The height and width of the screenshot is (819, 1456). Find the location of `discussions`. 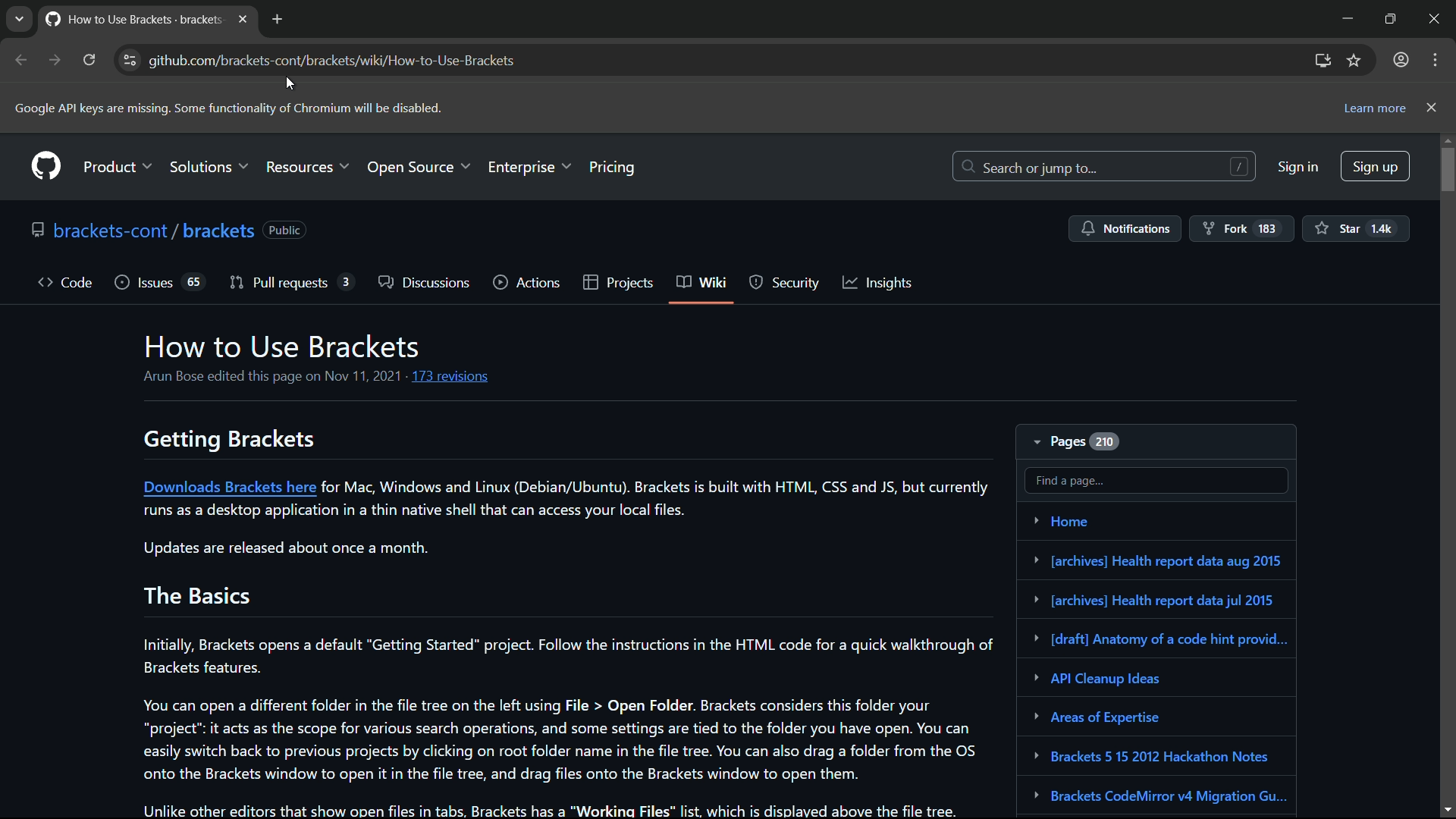

discussions is located at coordinates (422, 282).